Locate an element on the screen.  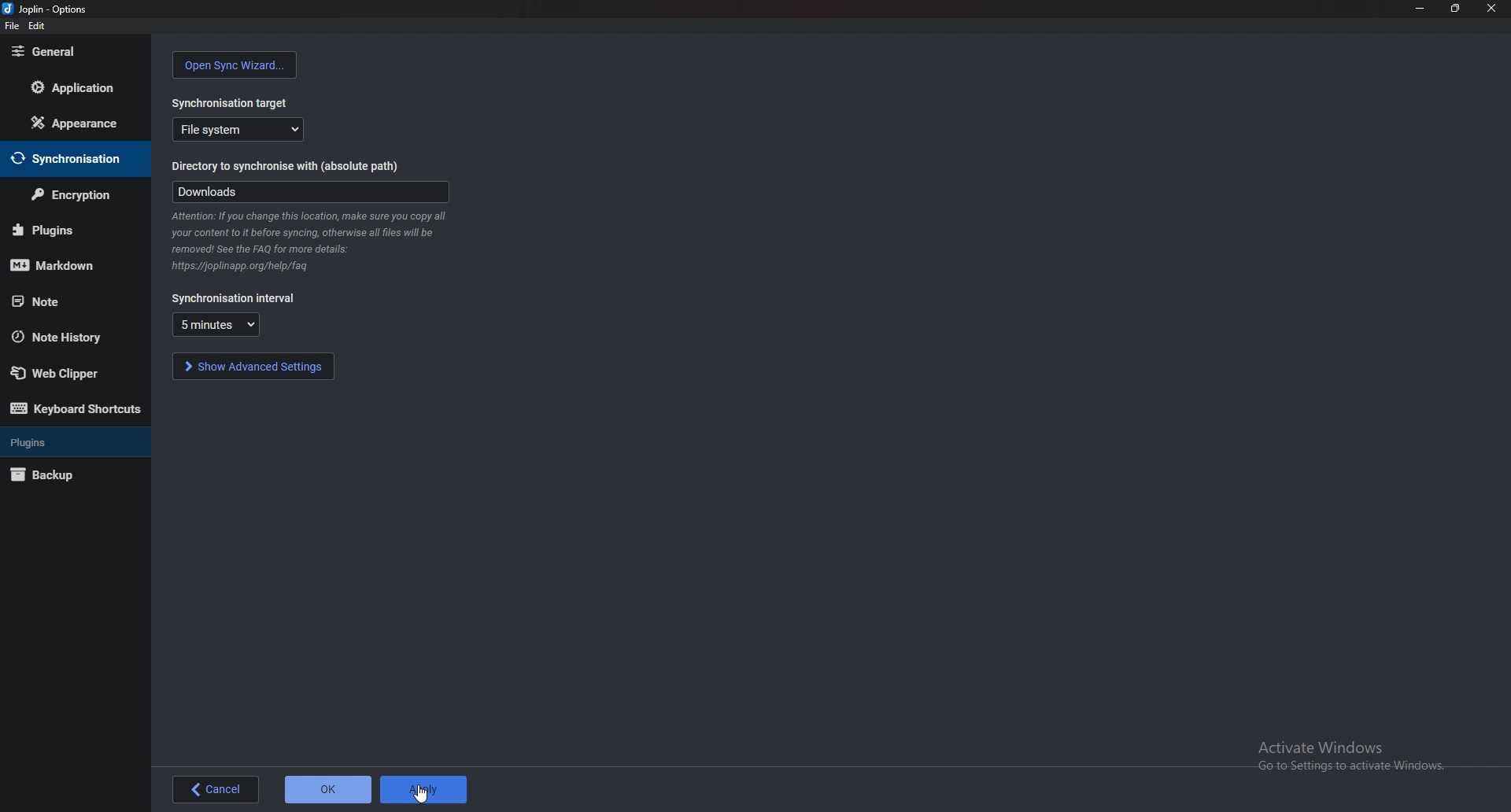
Downloads is located at coordinates (310, 192).